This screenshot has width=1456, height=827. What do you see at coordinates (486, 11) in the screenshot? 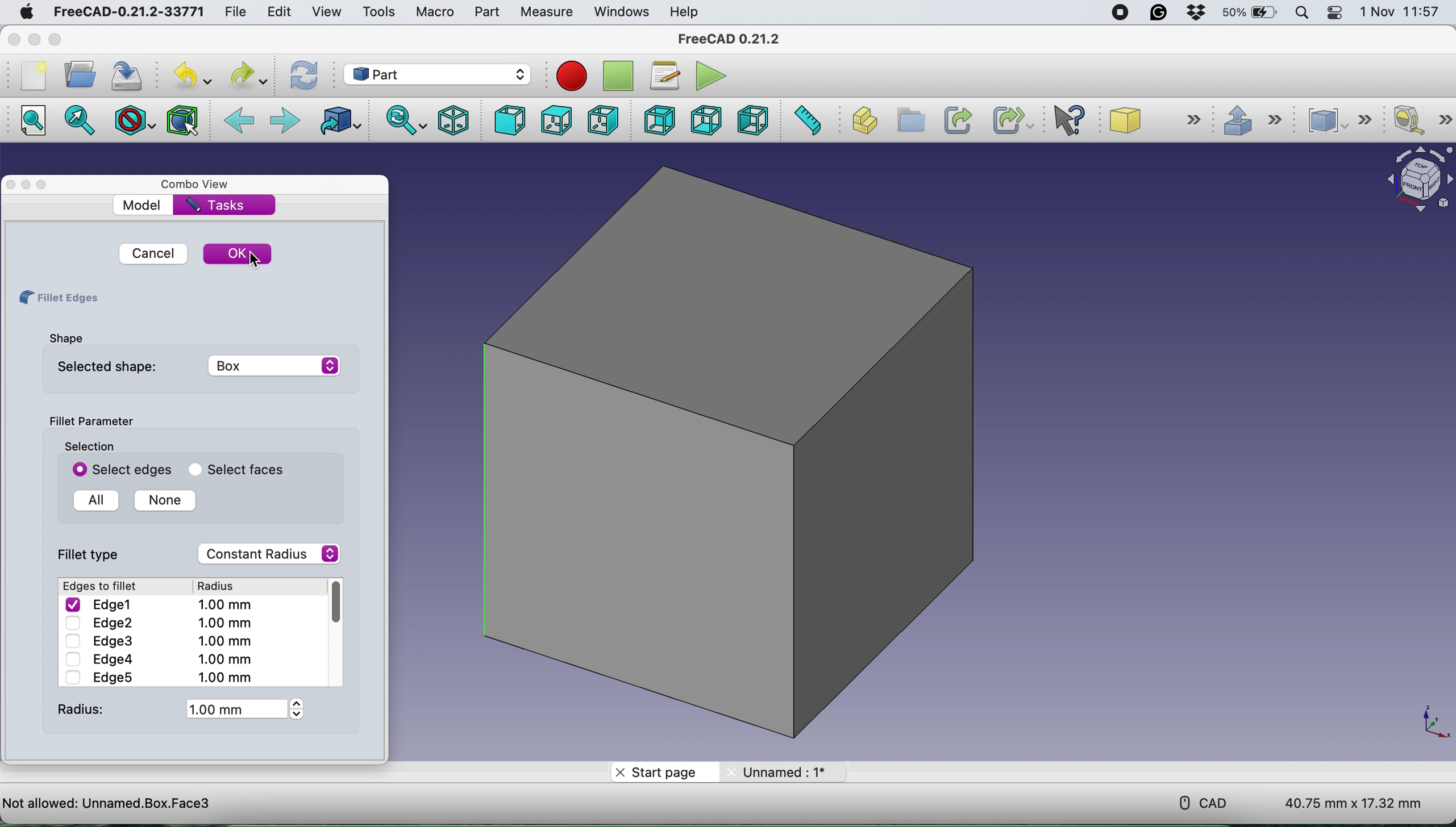
I see `part` at bounding box center [486, 11].